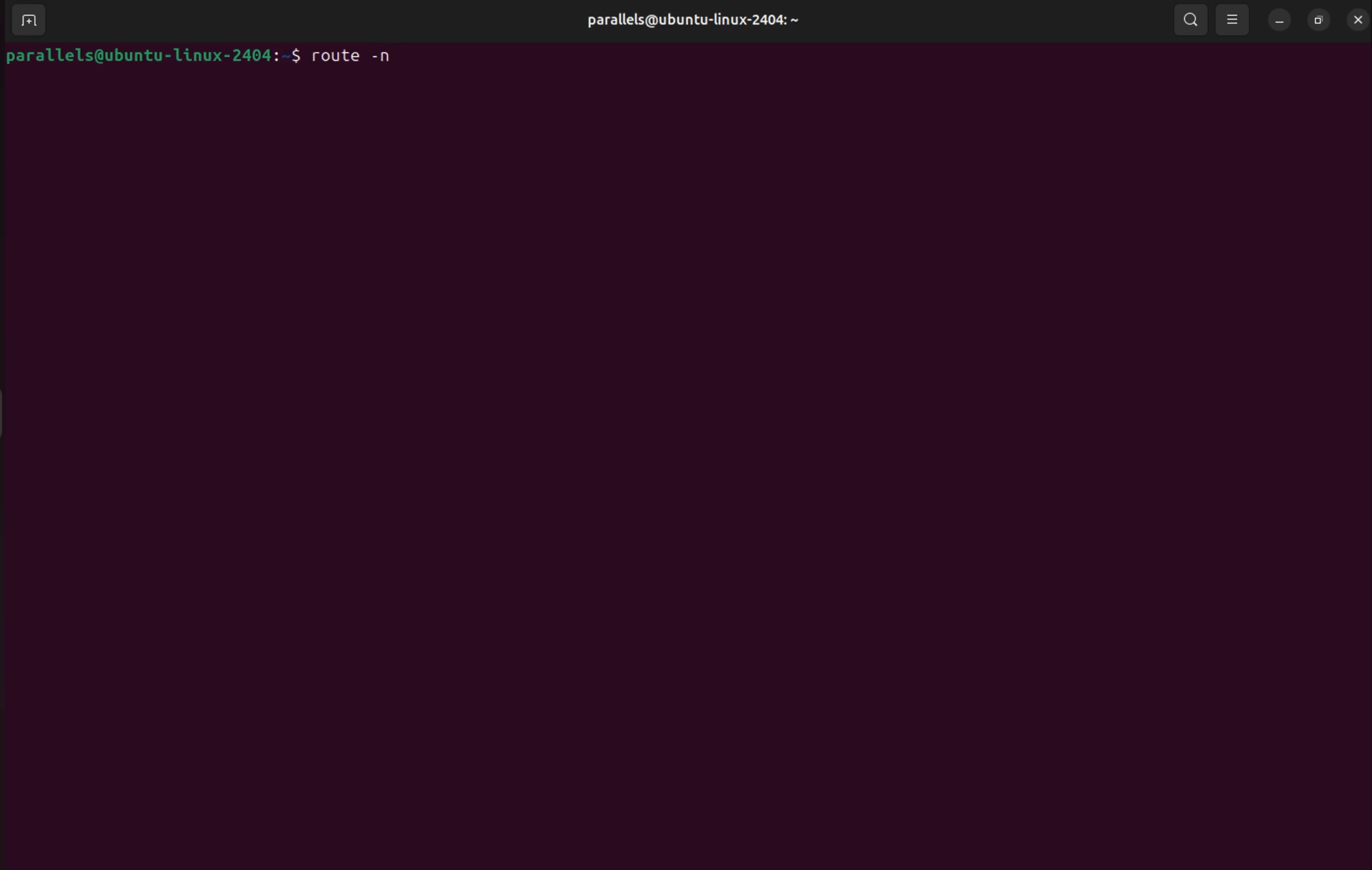 The image size is (1372, 870). I want to click on search, so click(1192, 21).